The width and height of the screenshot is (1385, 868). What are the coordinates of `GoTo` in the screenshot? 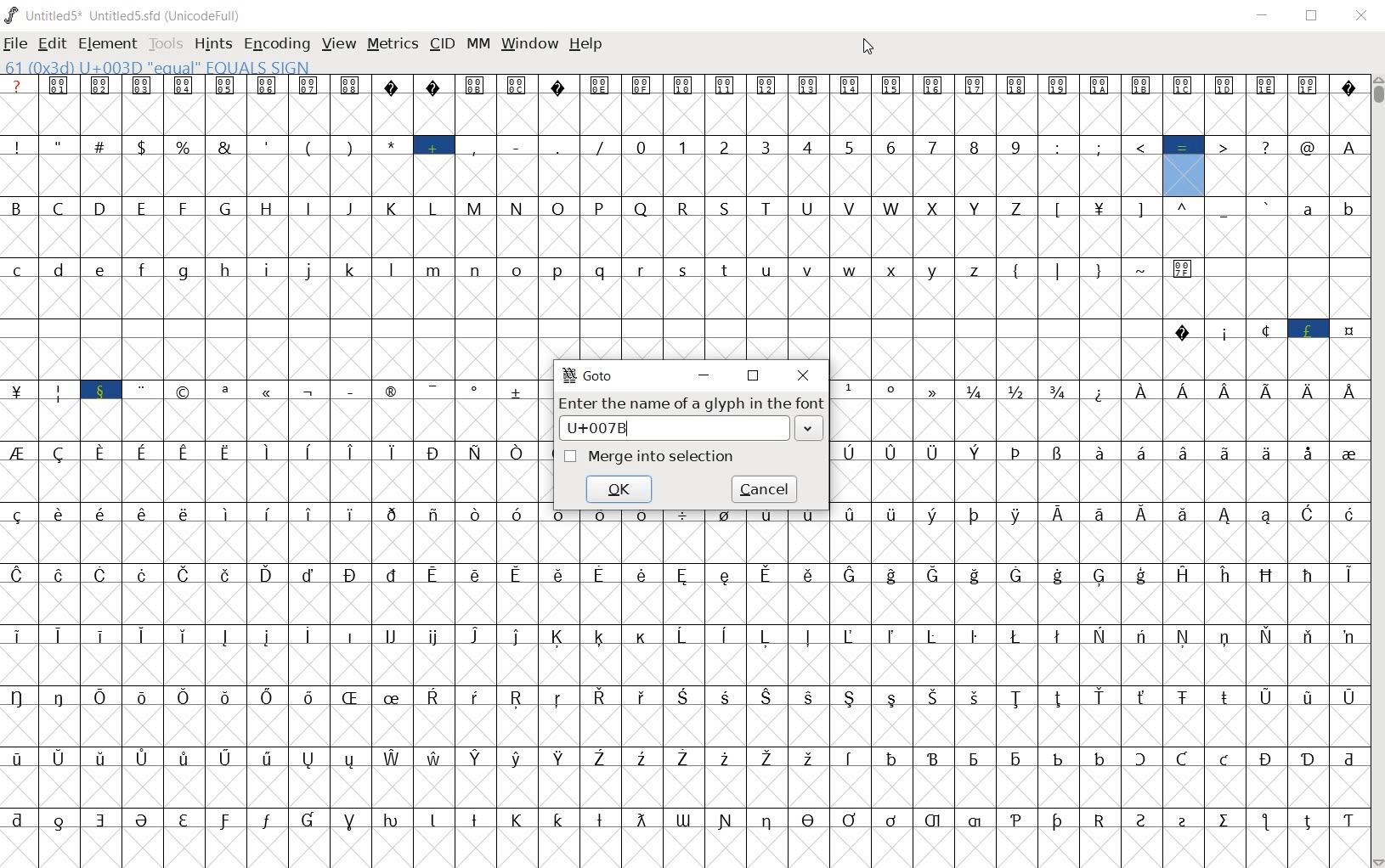 It's located at (588, 375).